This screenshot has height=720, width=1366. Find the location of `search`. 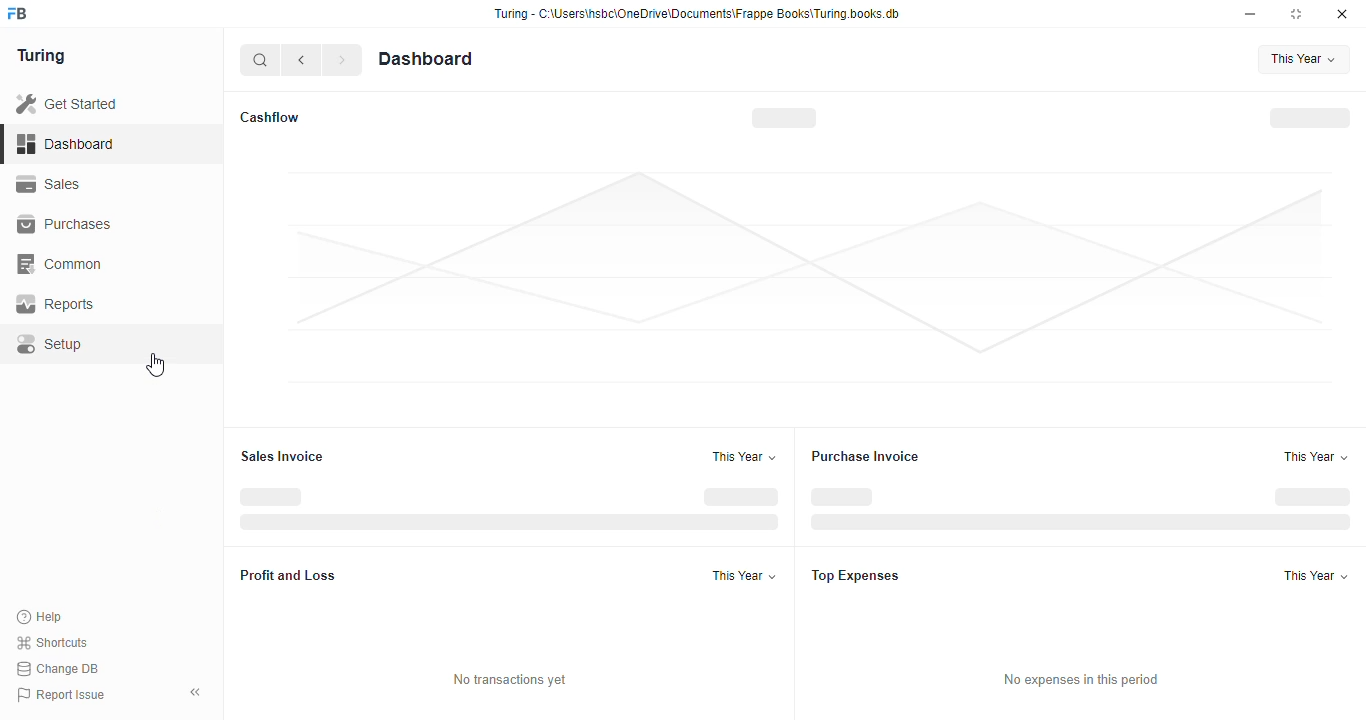

search is located at coordinates (261, 60).